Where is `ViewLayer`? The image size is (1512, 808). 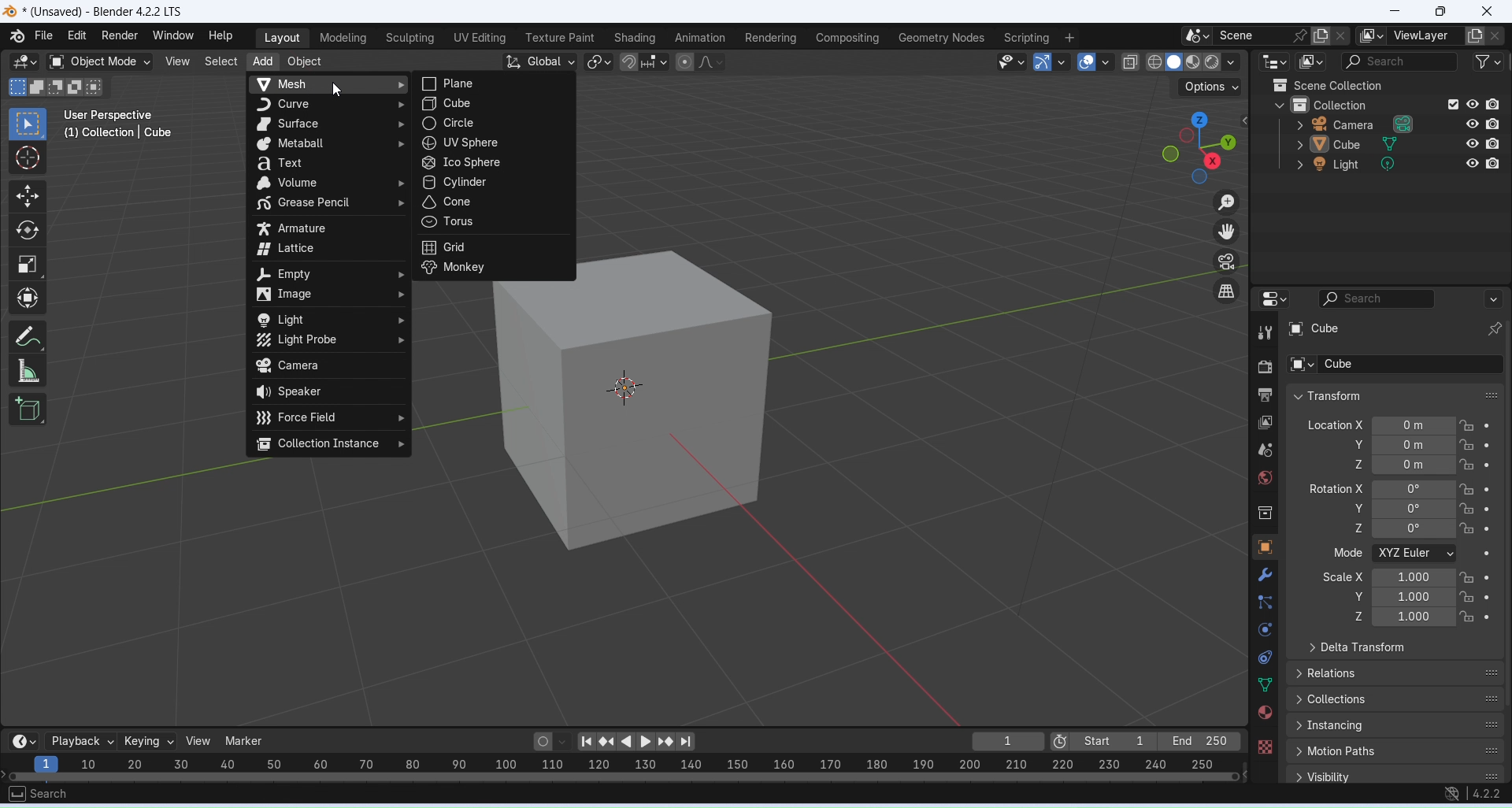
ViewLayer is located at coordinates (1423, 36).